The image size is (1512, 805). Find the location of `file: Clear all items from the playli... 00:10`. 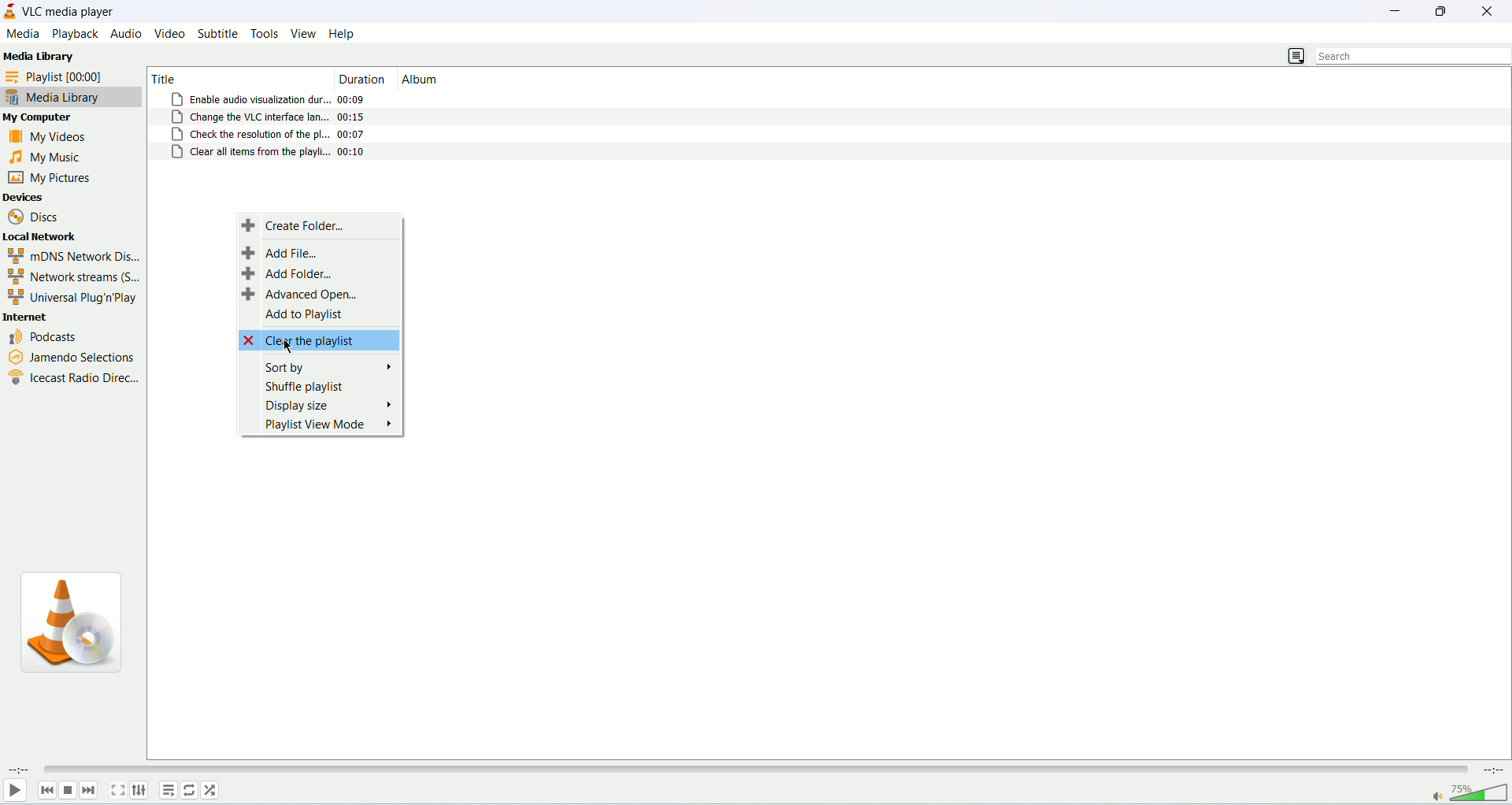

file: Clear all items from the playli... 00:10 is located at coordinates (270, 153).